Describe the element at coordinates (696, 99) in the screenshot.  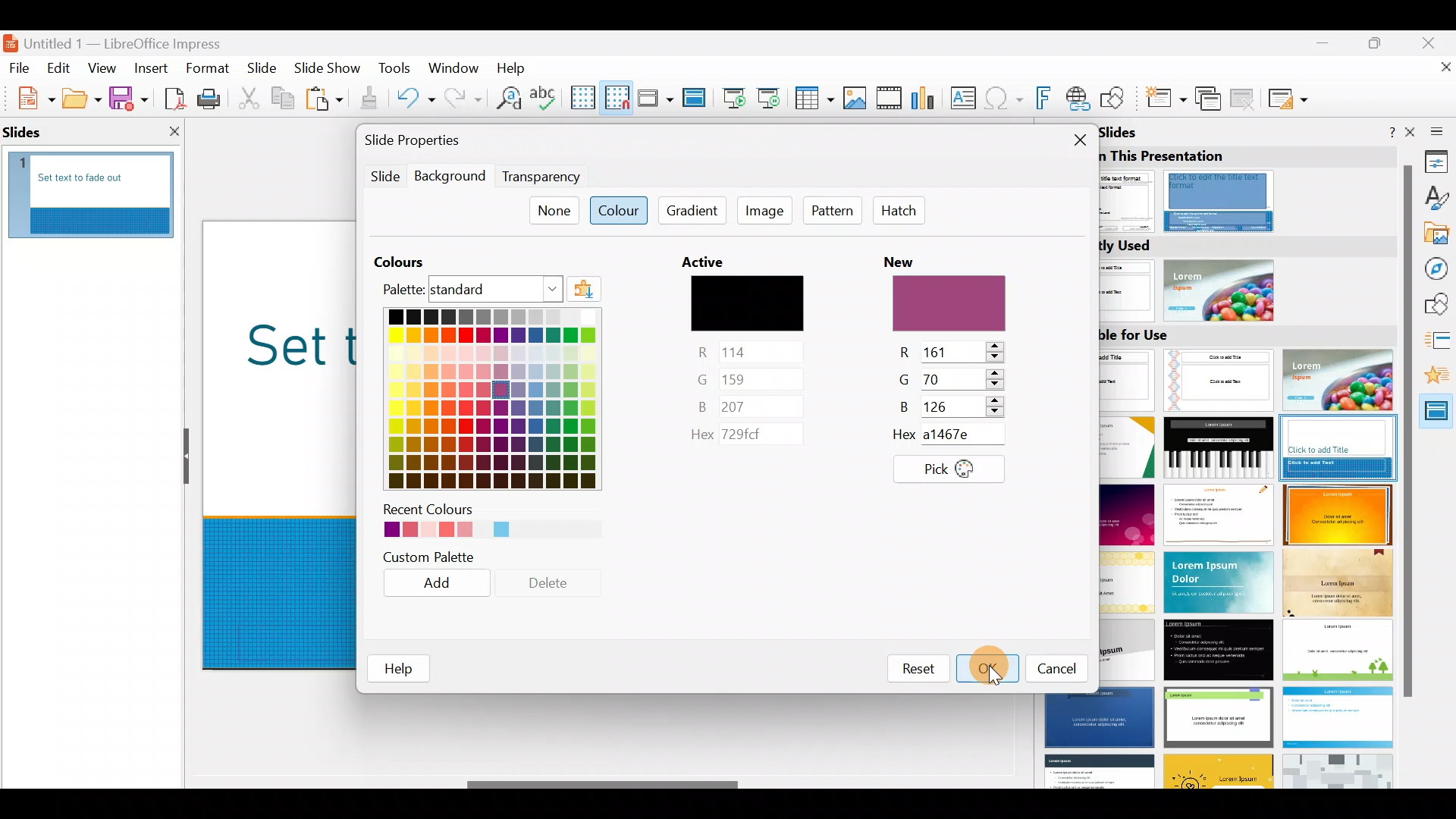
I see `Master slide` at that location.